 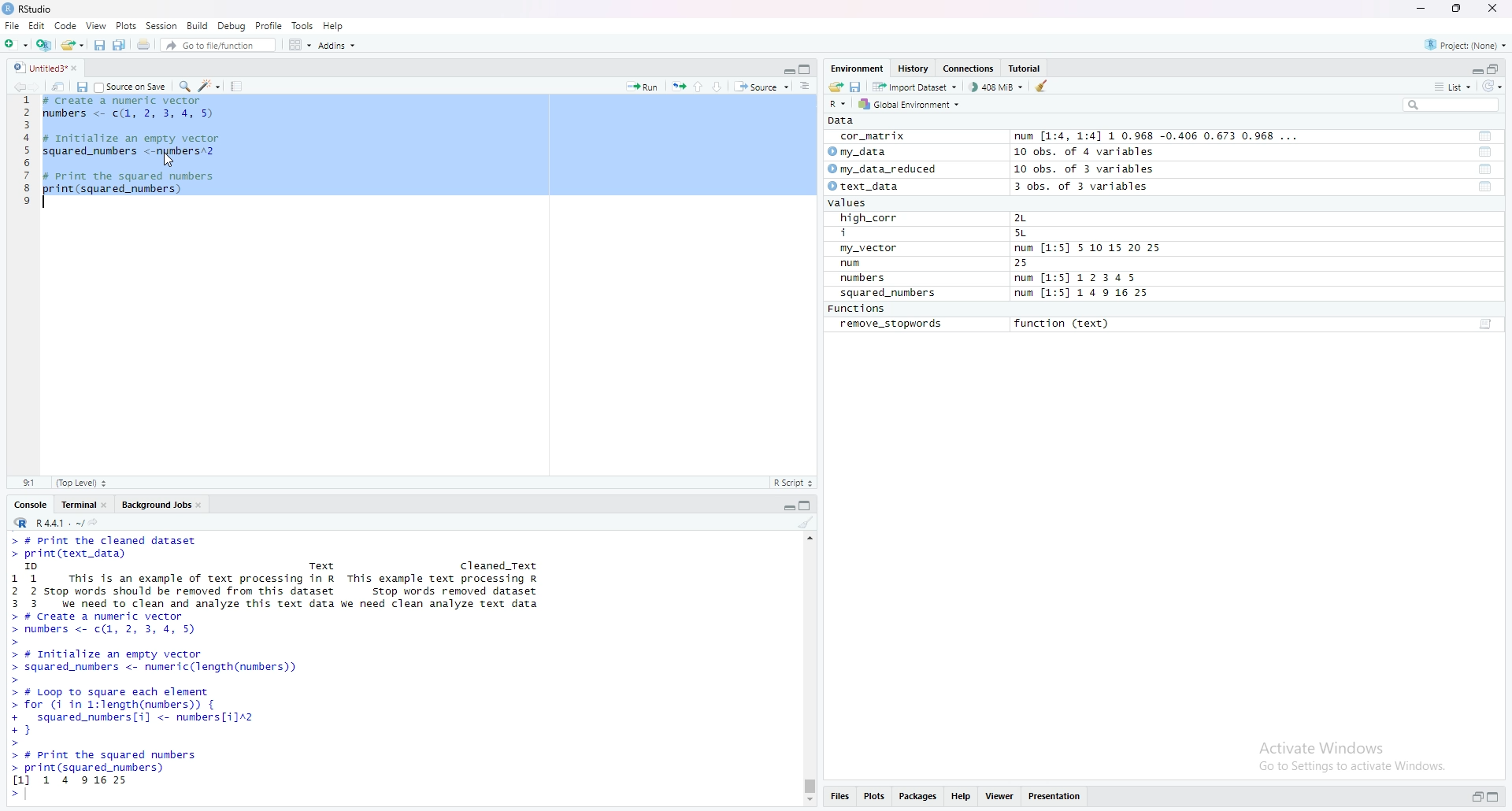 I want to click on num, so click(x=868, y=264).